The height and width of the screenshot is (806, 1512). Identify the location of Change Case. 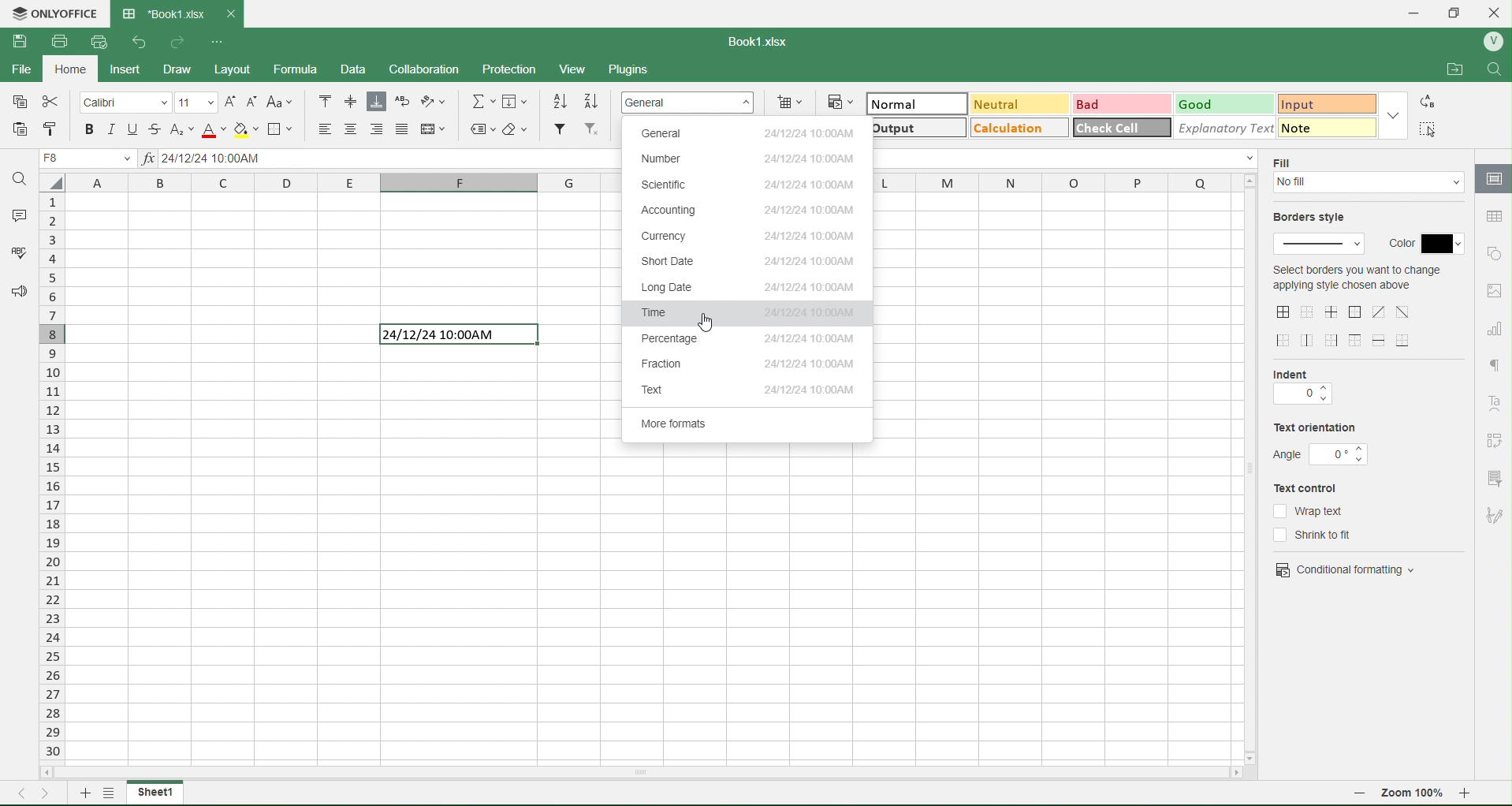
(282, 103).